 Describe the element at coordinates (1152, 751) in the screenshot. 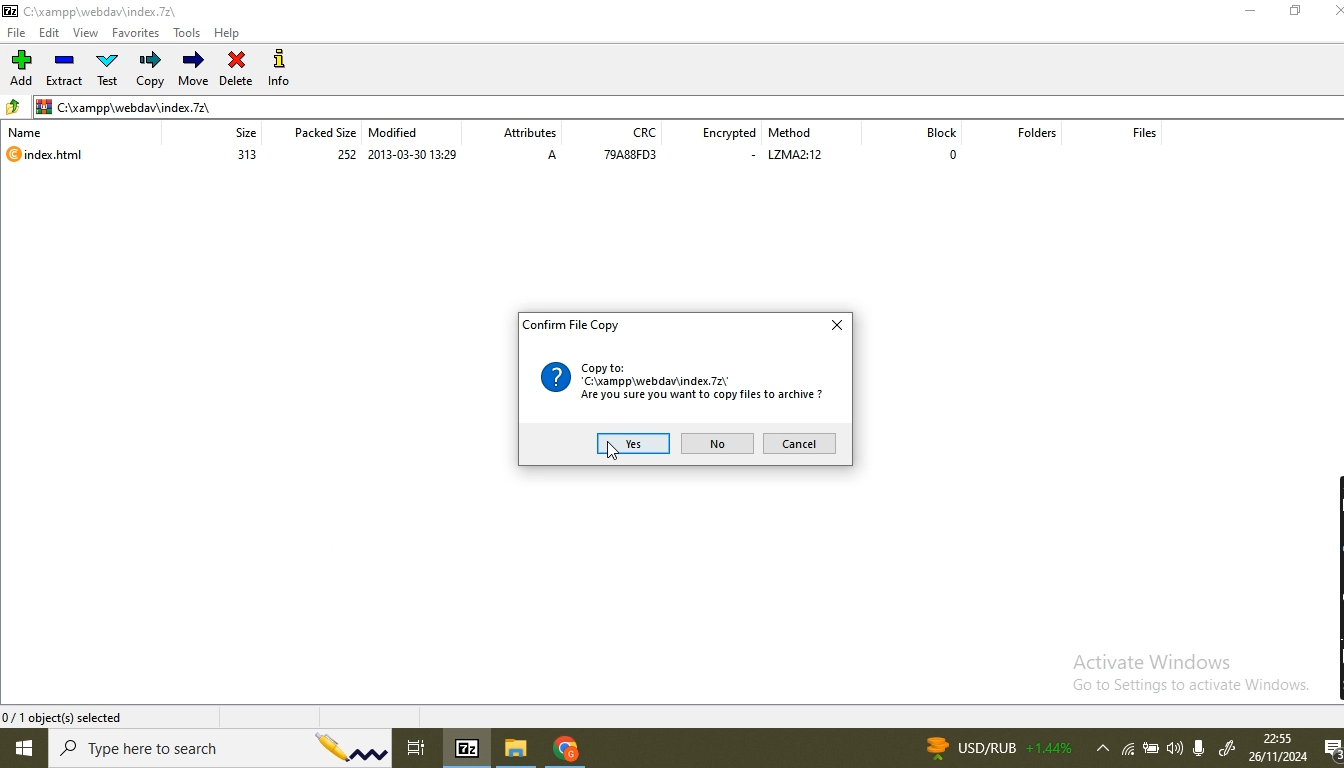

I see `battery` at that location.